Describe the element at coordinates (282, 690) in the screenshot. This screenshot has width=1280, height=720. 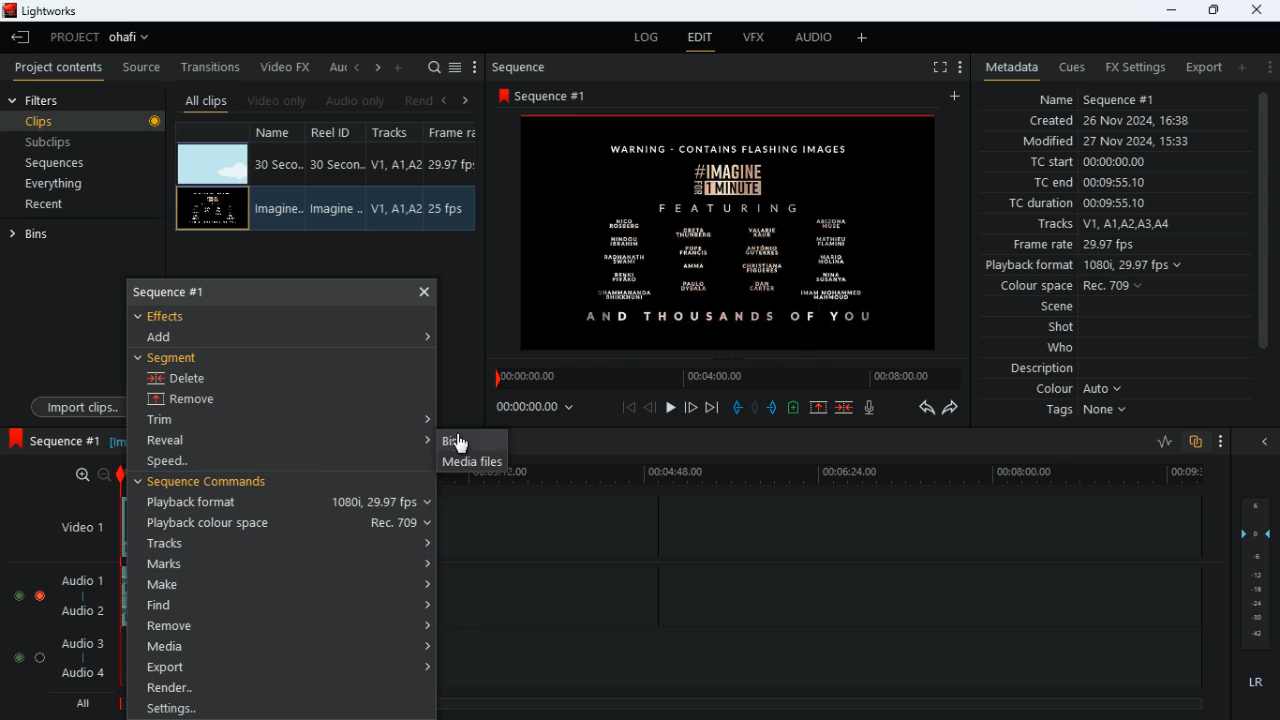
I see `render` at that location.